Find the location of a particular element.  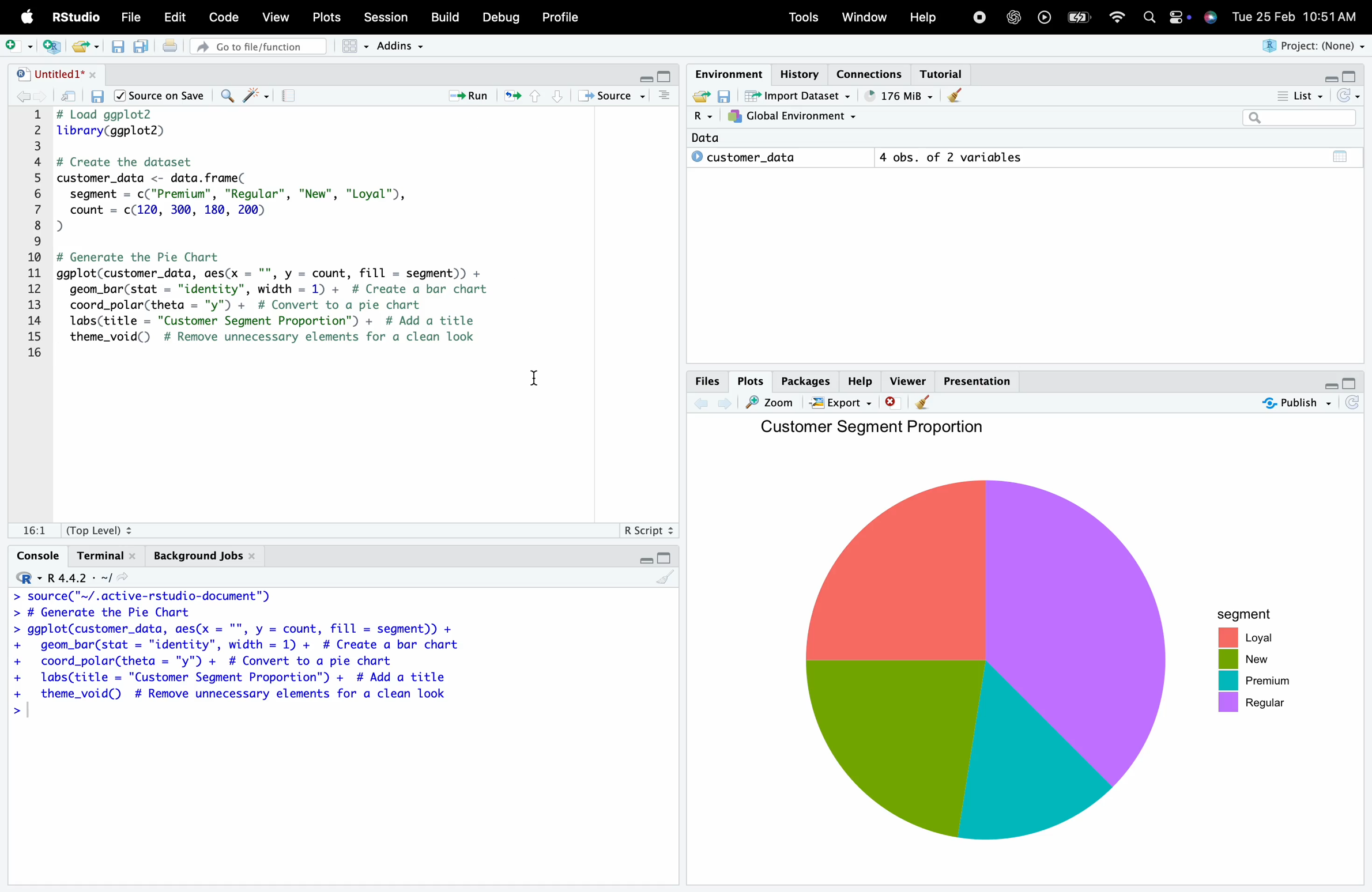

add script is located at coordinates (18, 43).